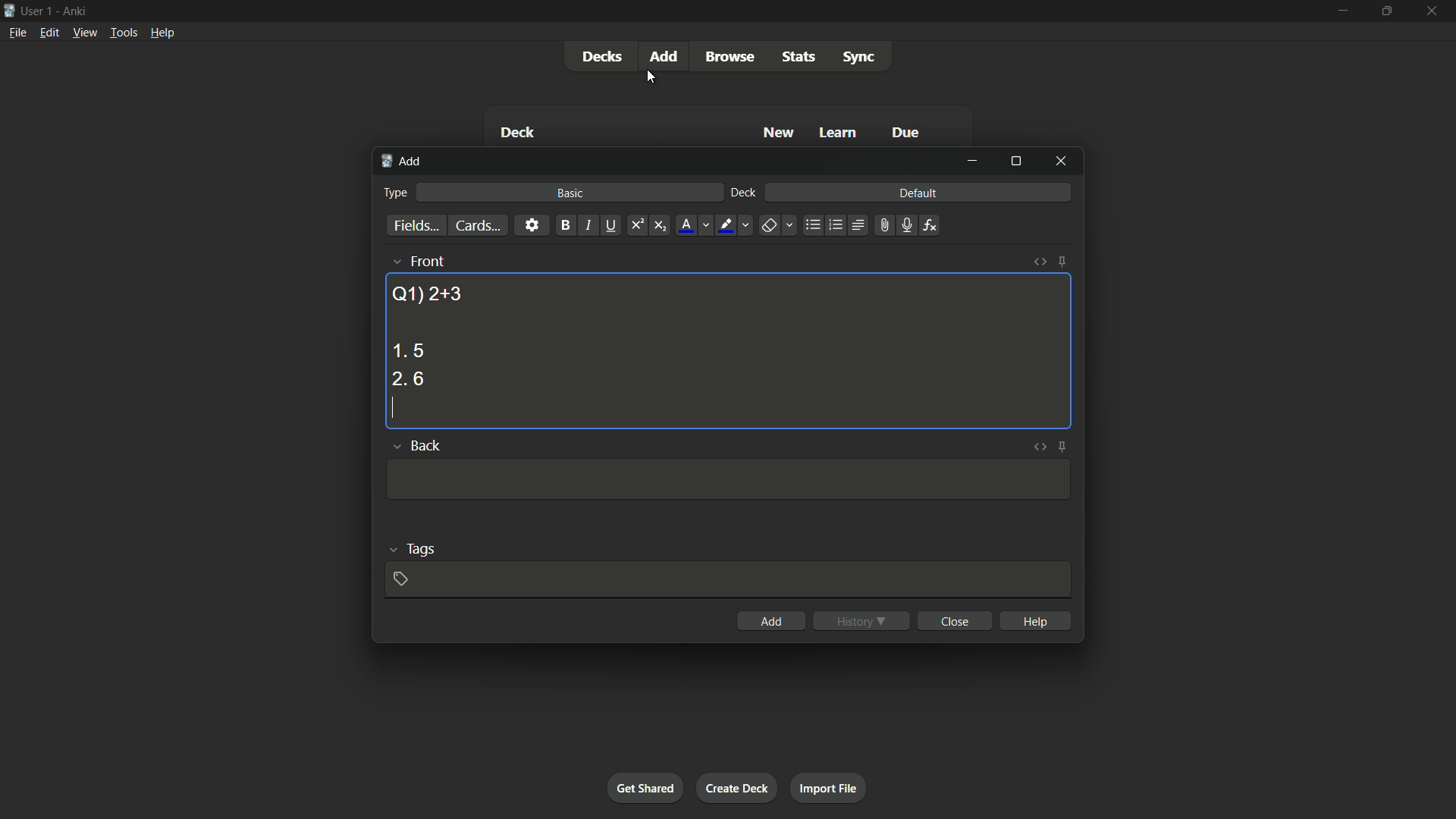 This screenshot has width=1456, height=819. What do you see at coordinates (83, 31) in the screenshot?
I see `view menu` at bounding box center [83, 31].